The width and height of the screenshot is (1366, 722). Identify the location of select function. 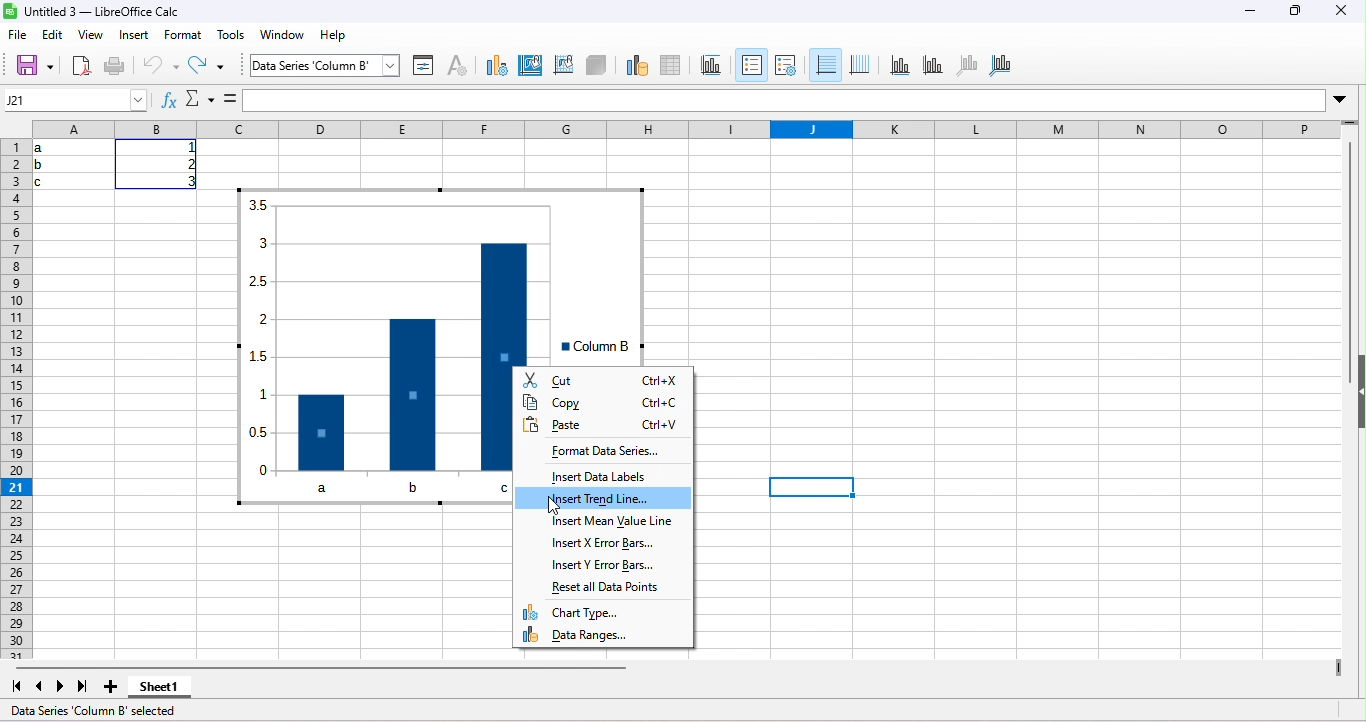
(201, 99).